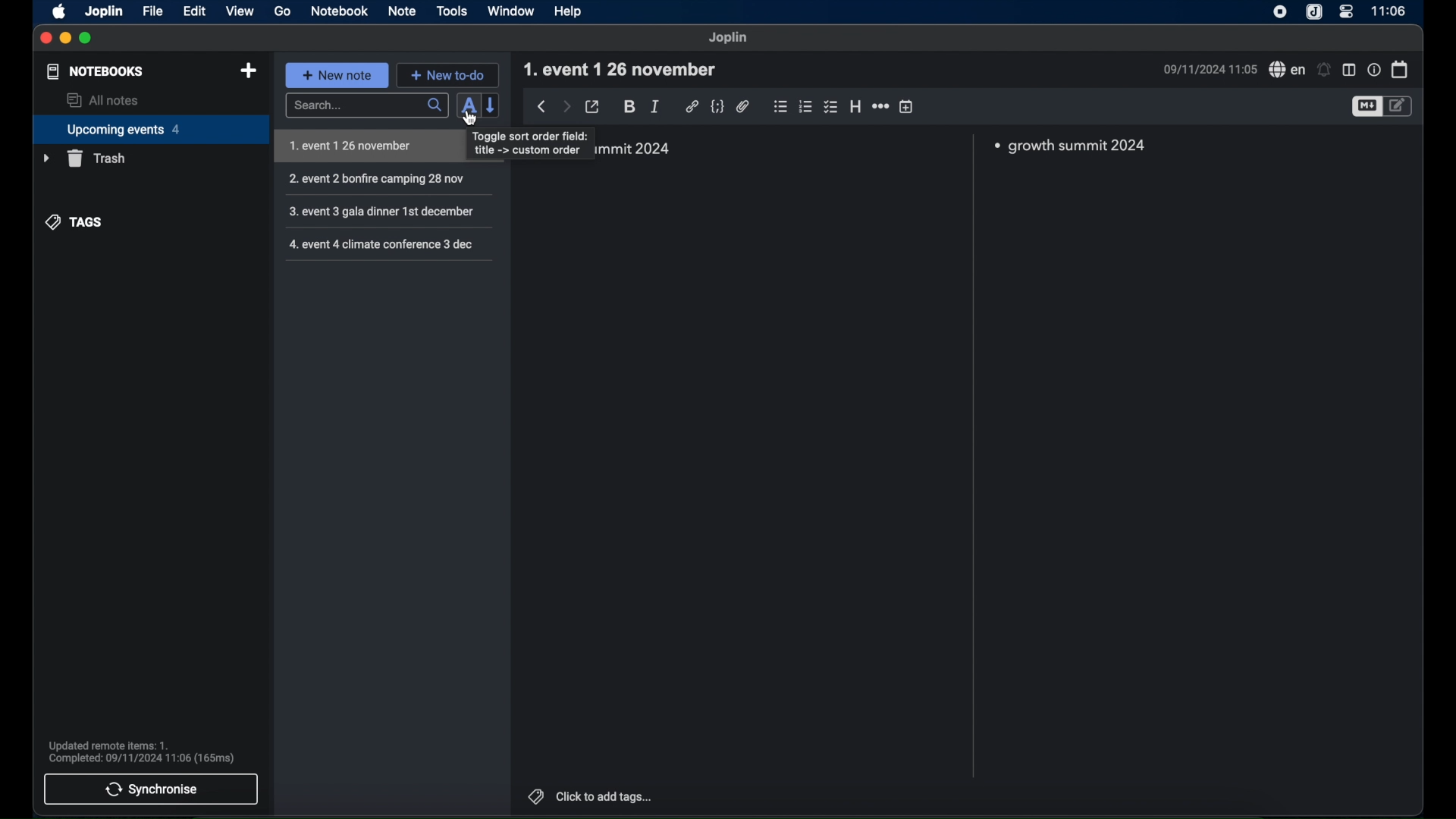 The image size is (1456, 819). Describe the element at coordinates (196, 11) in the screenshot. I see `edit` at that location.